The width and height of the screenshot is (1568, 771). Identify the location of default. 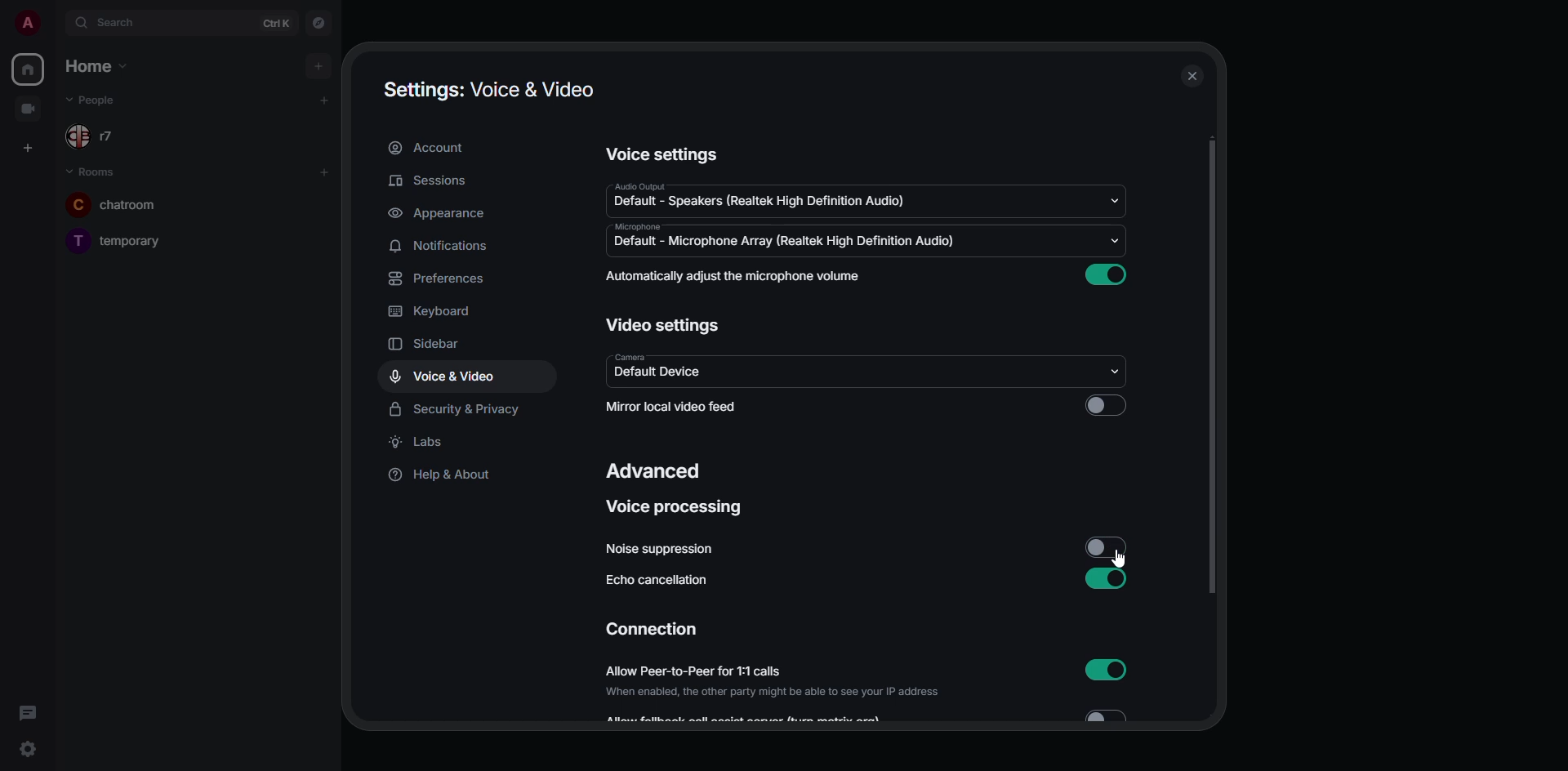
(763, 203).